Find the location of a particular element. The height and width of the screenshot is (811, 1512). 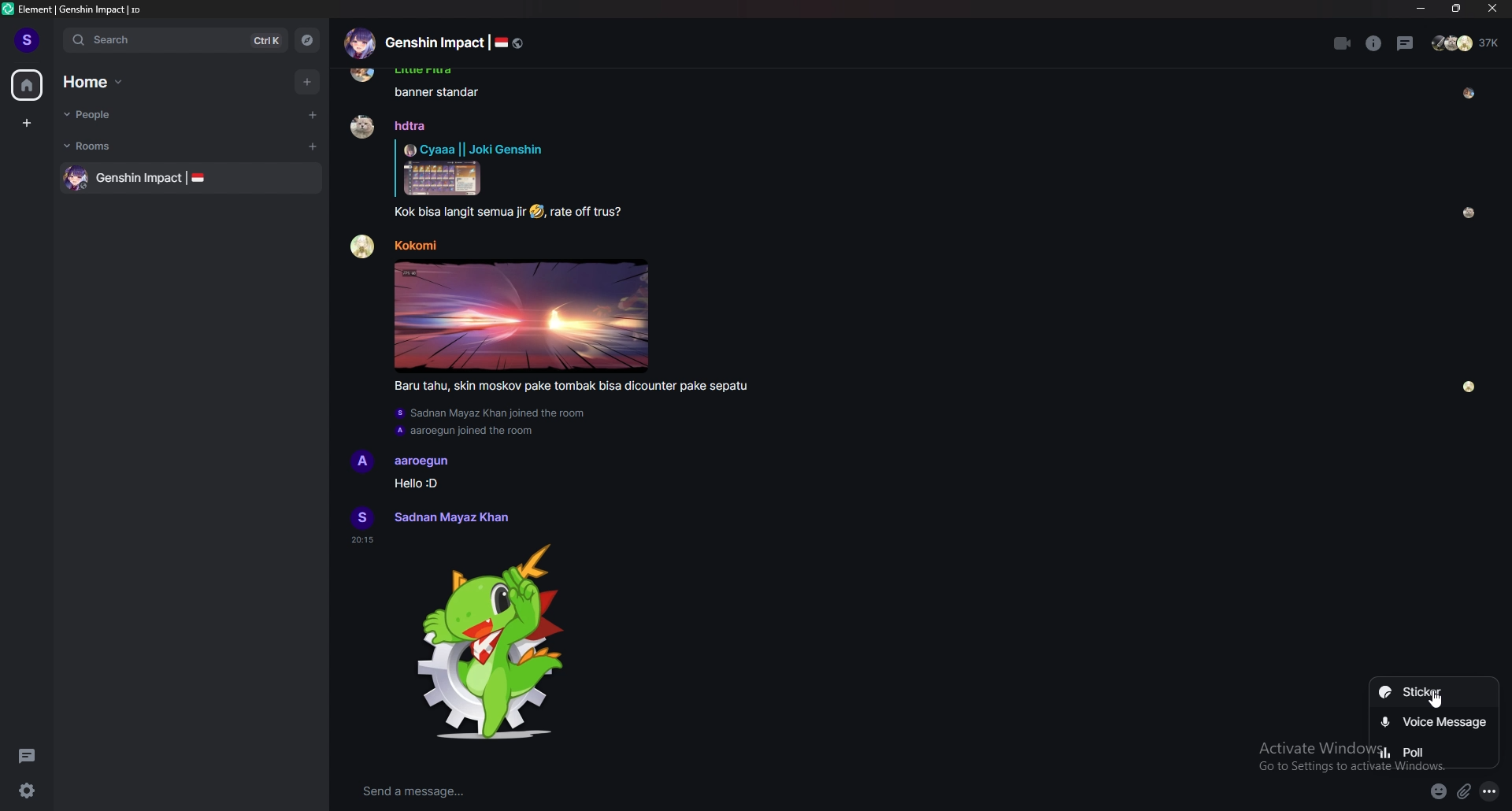

seen by is located at coordinates (1469, 94).